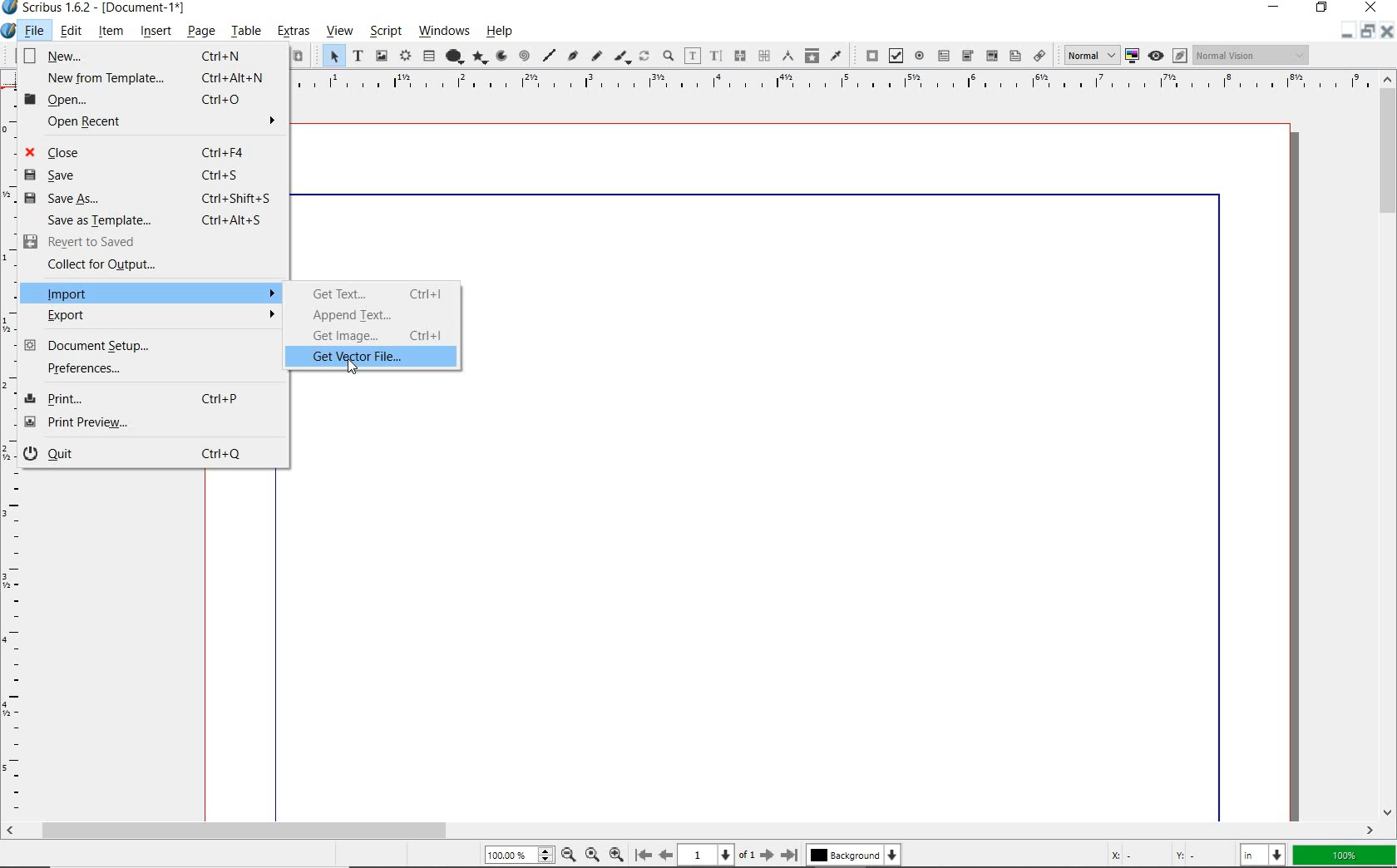  Describe the element at coordinates (1253, 54) in the screenshot. I see `Normal Vision` at that location.